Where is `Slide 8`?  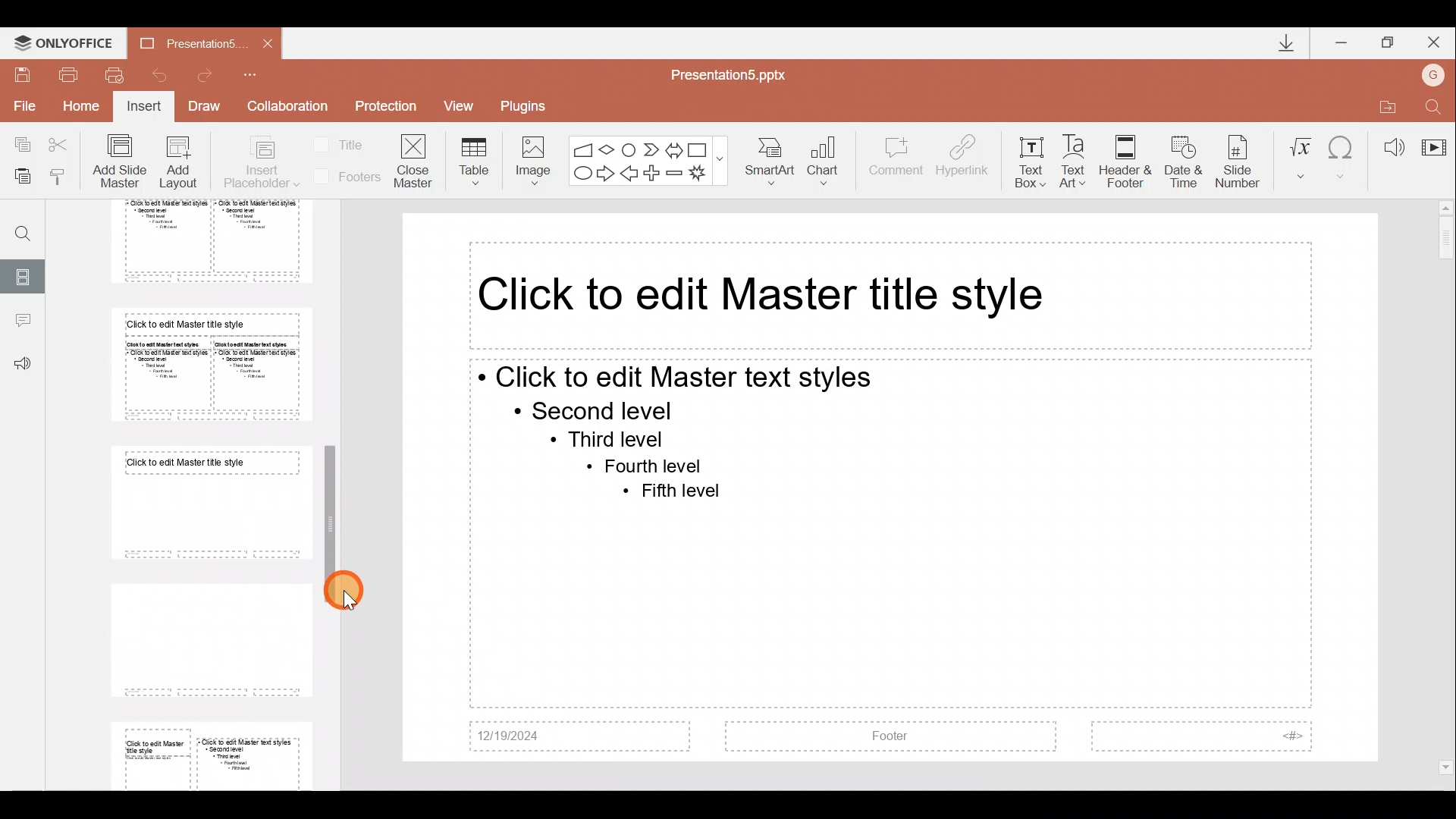
Slide 8 is located at coordinates (206, 638).